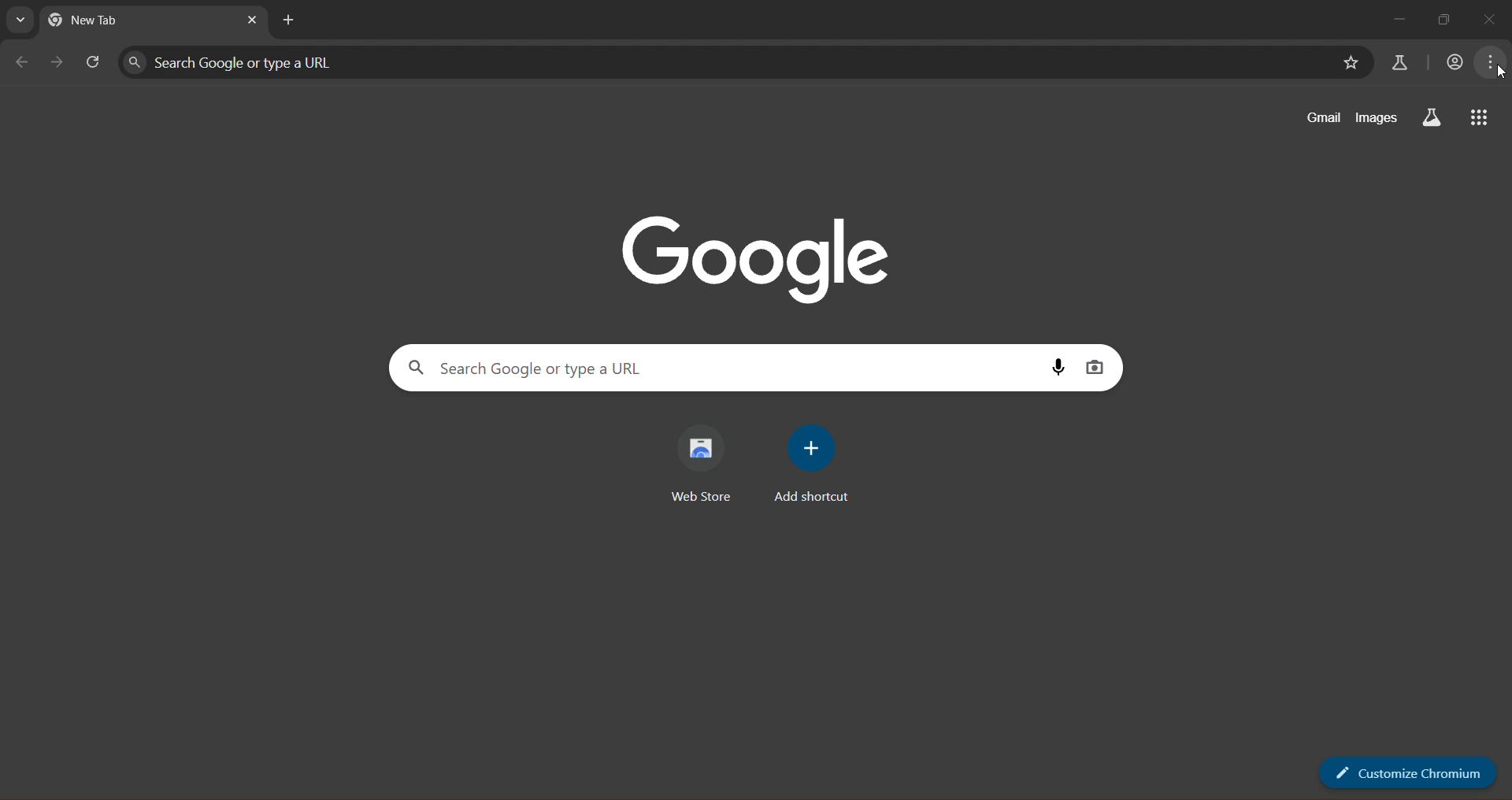  Describe the element at coordinates (1095, 369) in the screenshot. I see `image search` at that location.